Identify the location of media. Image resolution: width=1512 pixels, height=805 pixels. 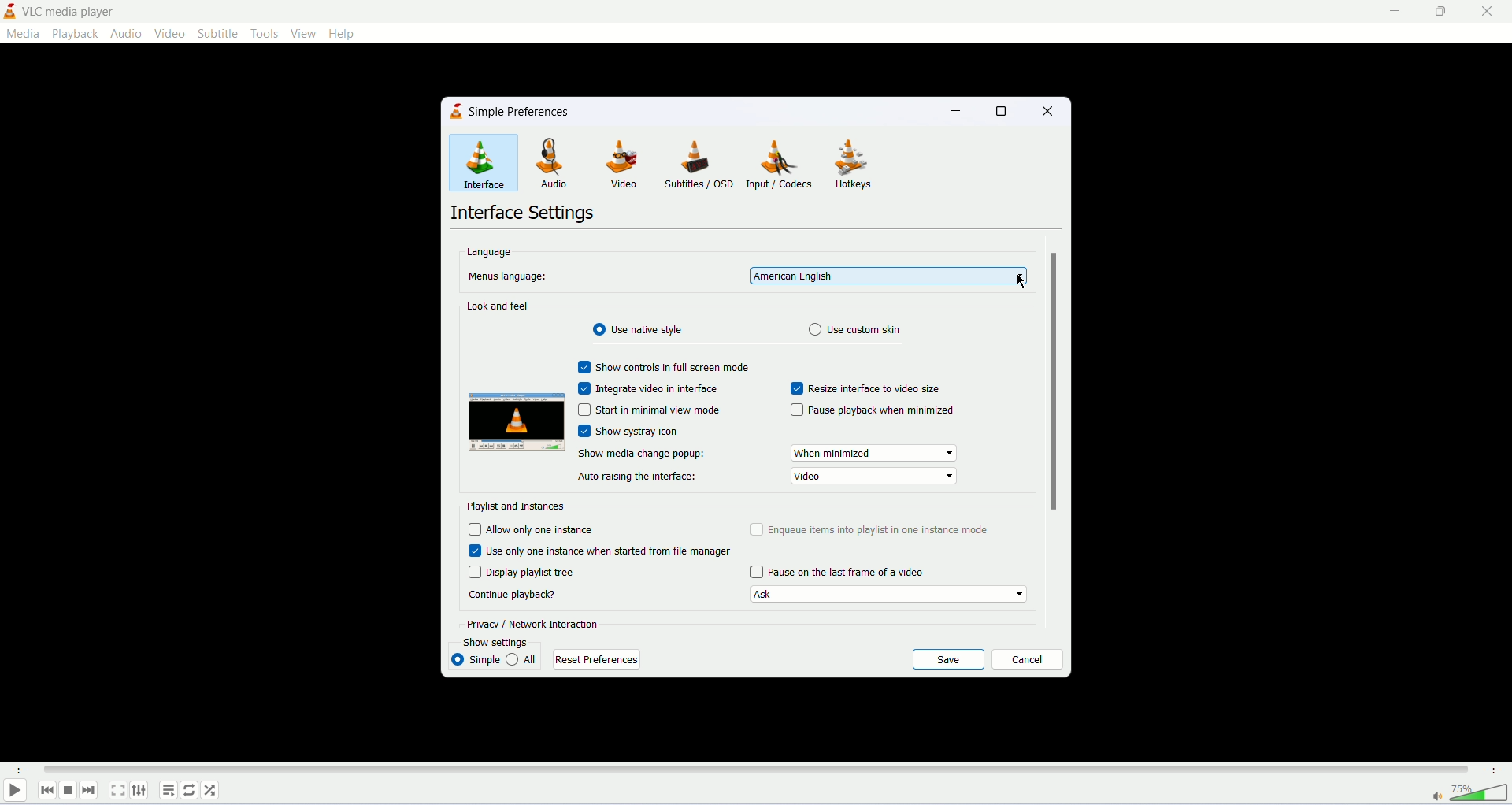
(23, 35).